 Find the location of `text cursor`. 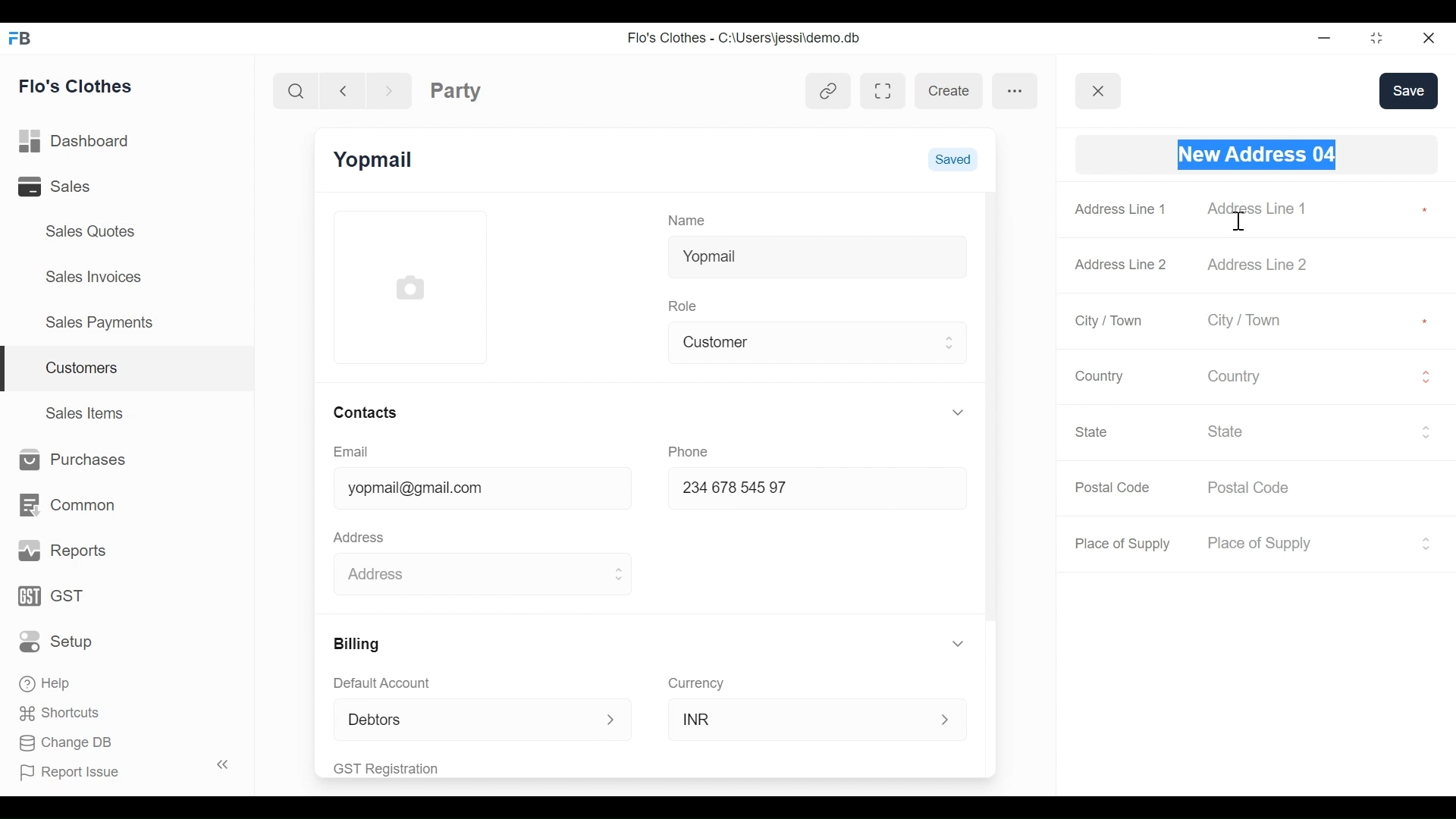

text cursor is located at coordinates (1239, 222).